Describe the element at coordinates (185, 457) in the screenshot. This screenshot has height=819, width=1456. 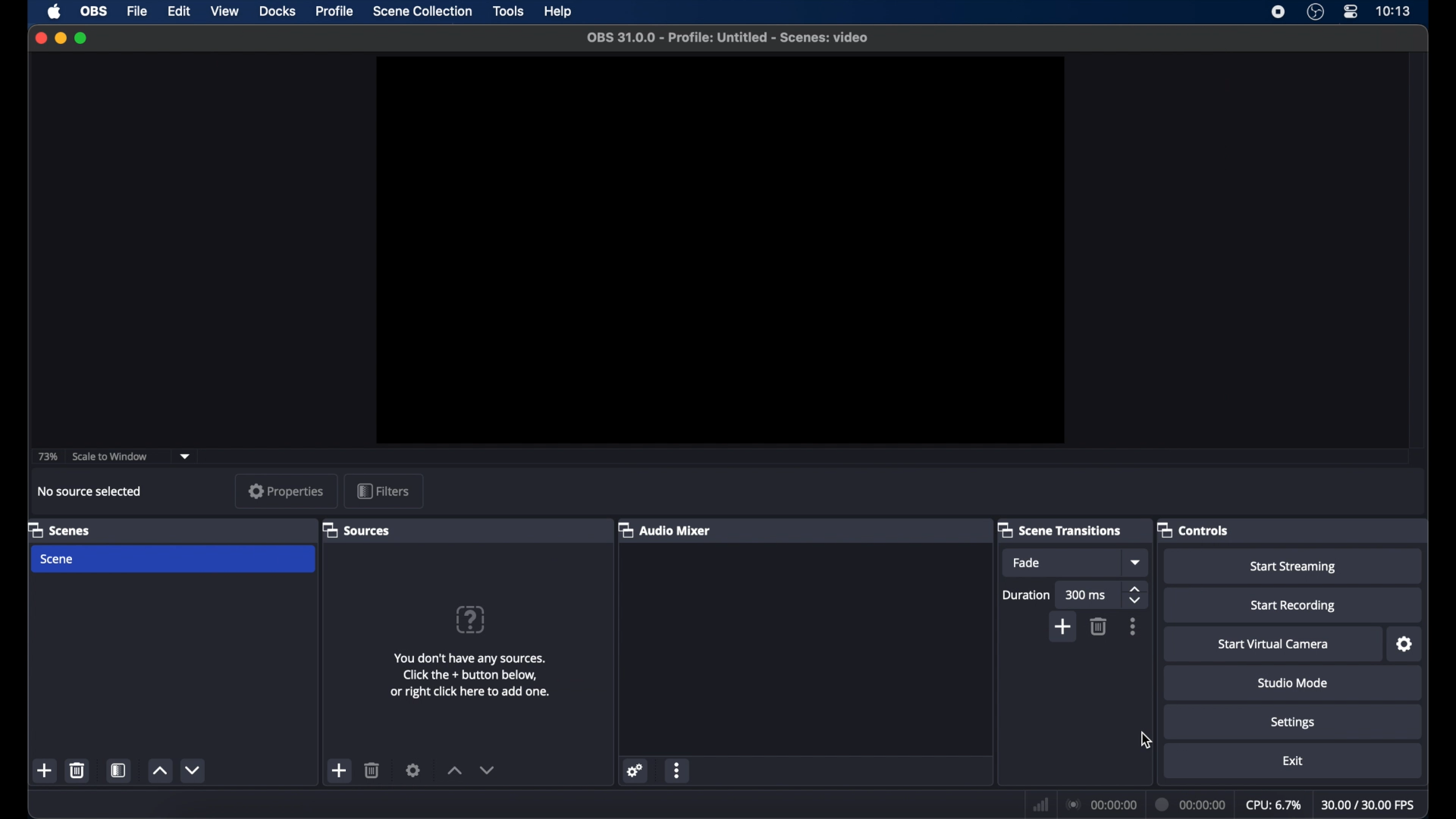
I see `dropdown` at that location.